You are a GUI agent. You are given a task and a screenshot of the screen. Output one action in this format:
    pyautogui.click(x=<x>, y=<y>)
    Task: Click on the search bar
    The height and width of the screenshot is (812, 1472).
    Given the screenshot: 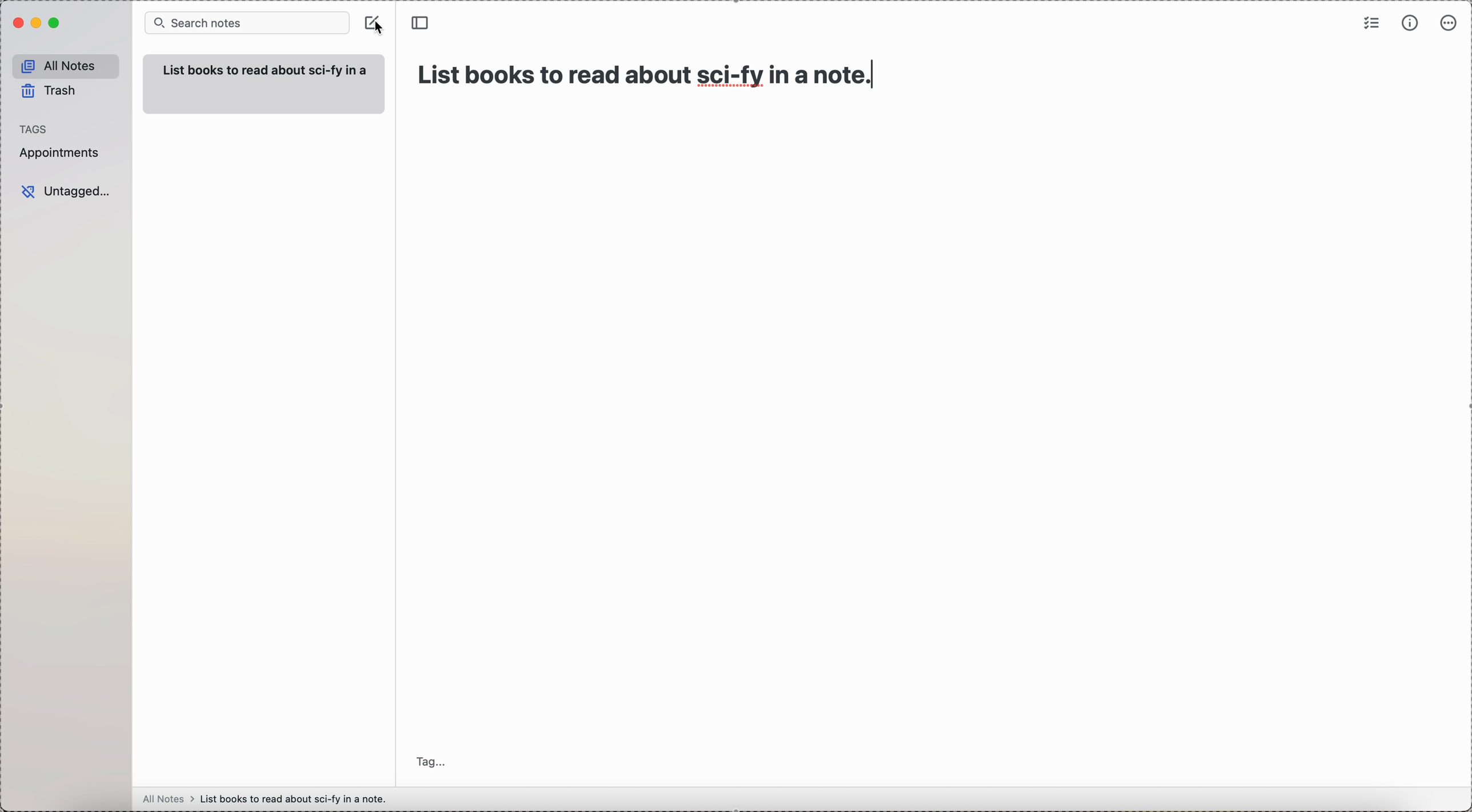 What is the action you would take?
    pyautogui.click(x=246, y=23)
    